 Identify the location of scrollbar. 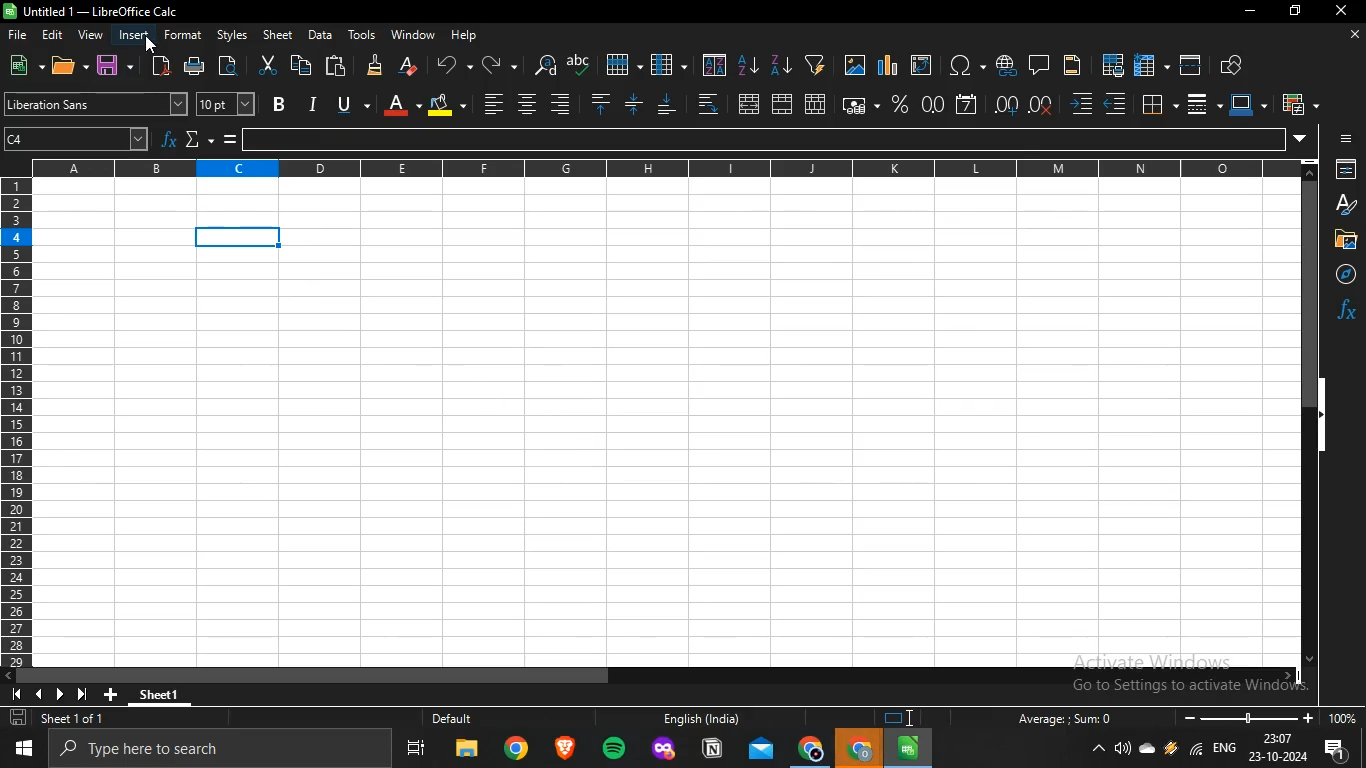
(1310, 422).